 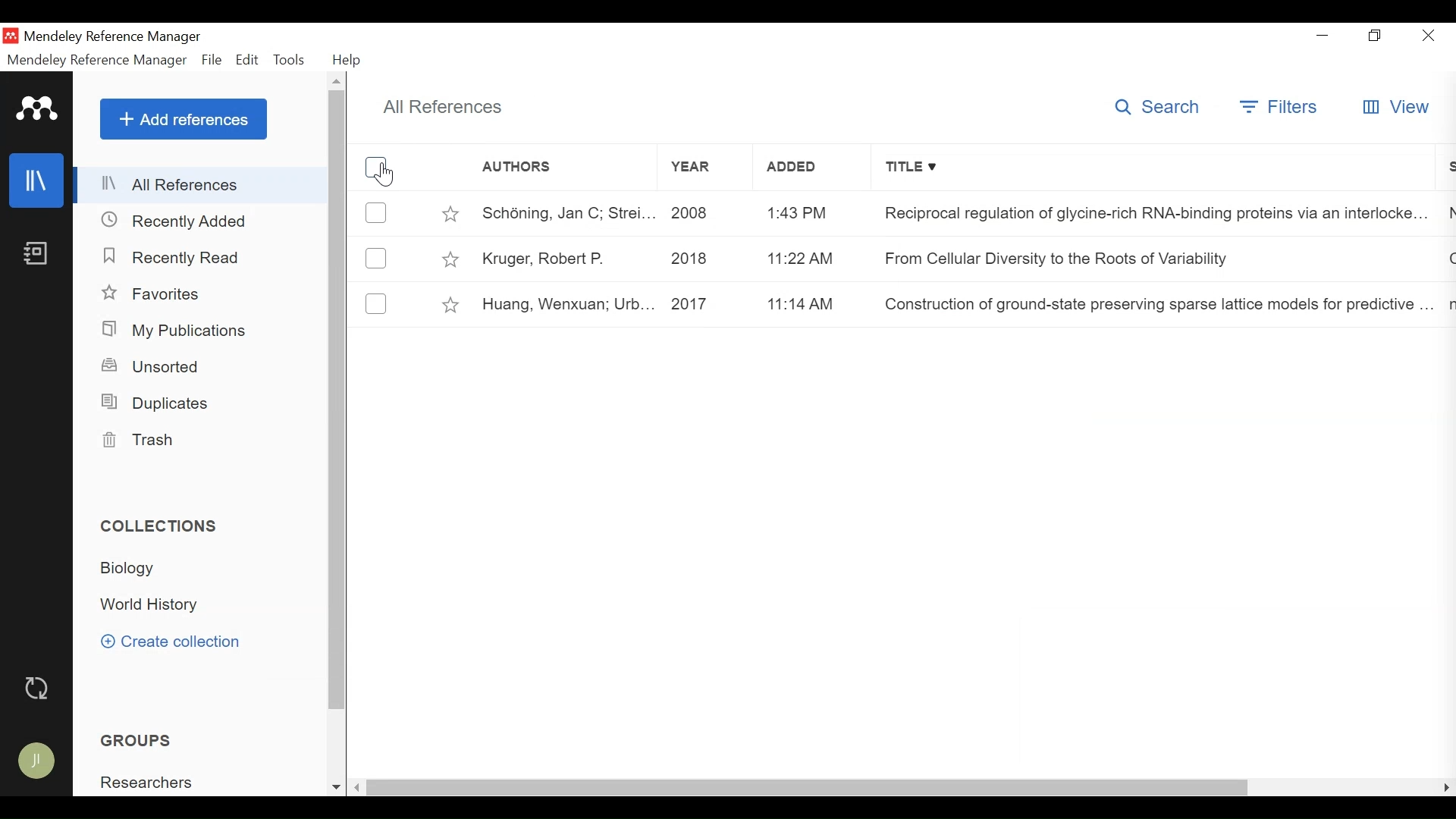 I want to click on Unsorted, so click(x=153, y=366).